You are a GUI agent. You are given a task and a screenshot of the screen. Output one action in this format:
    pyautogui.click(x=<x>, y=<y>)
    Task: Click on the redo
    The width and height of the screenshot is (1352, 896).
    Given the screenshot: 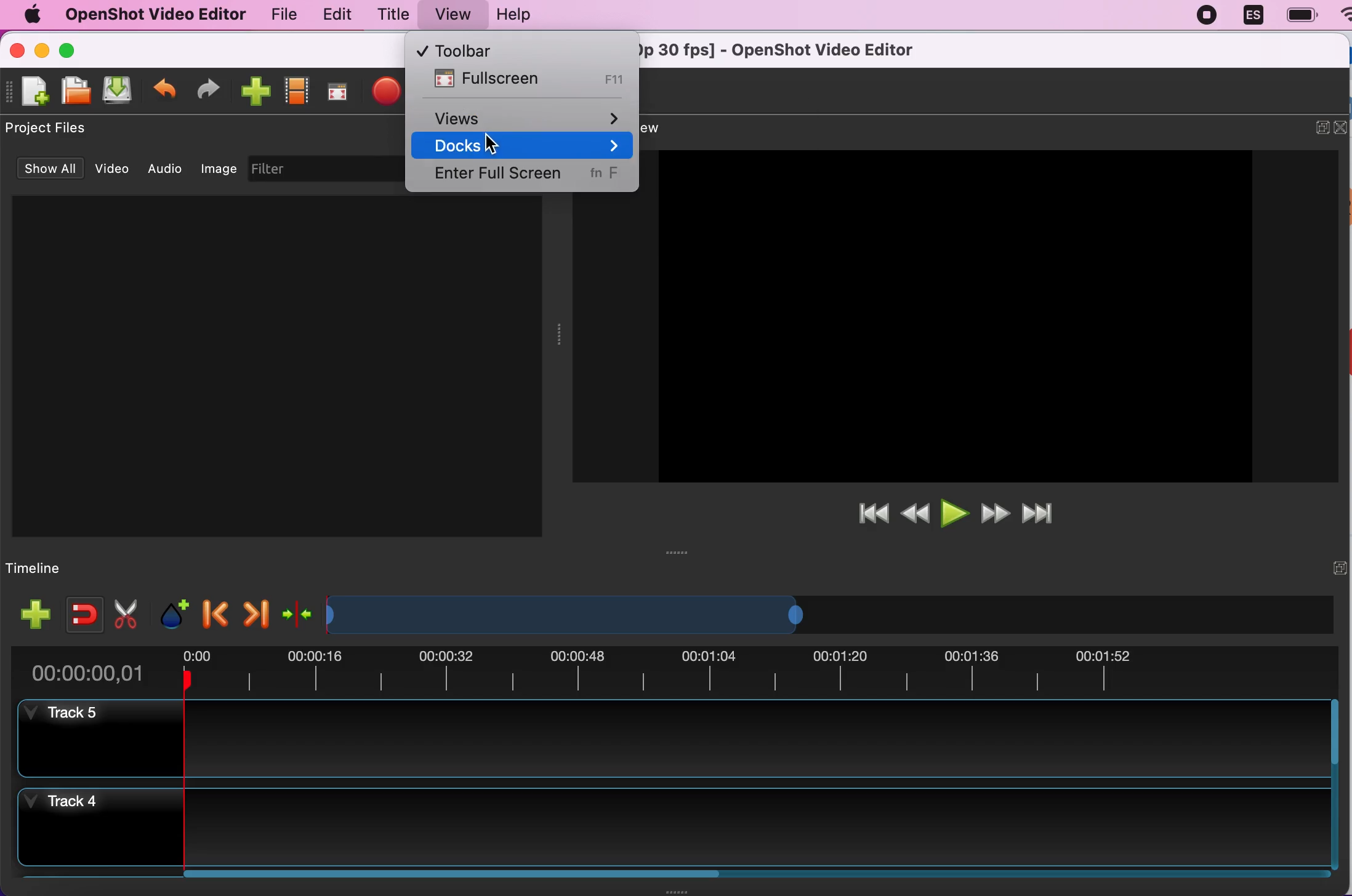 What is the action you would take?
    pyautogui.click(x=209, y=89)
    